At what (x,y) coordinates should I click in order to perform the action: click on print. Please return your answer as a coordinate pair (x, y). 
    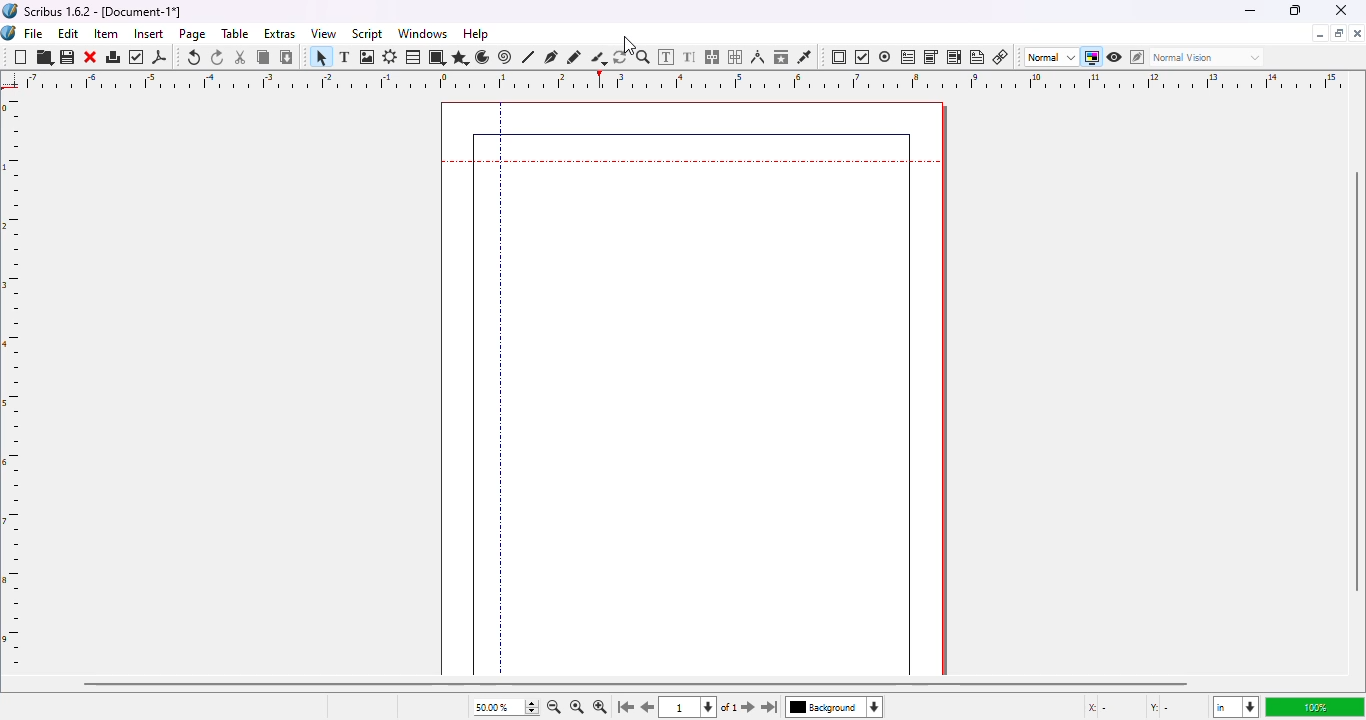
    Looking at the image, I should click on (114, 57).